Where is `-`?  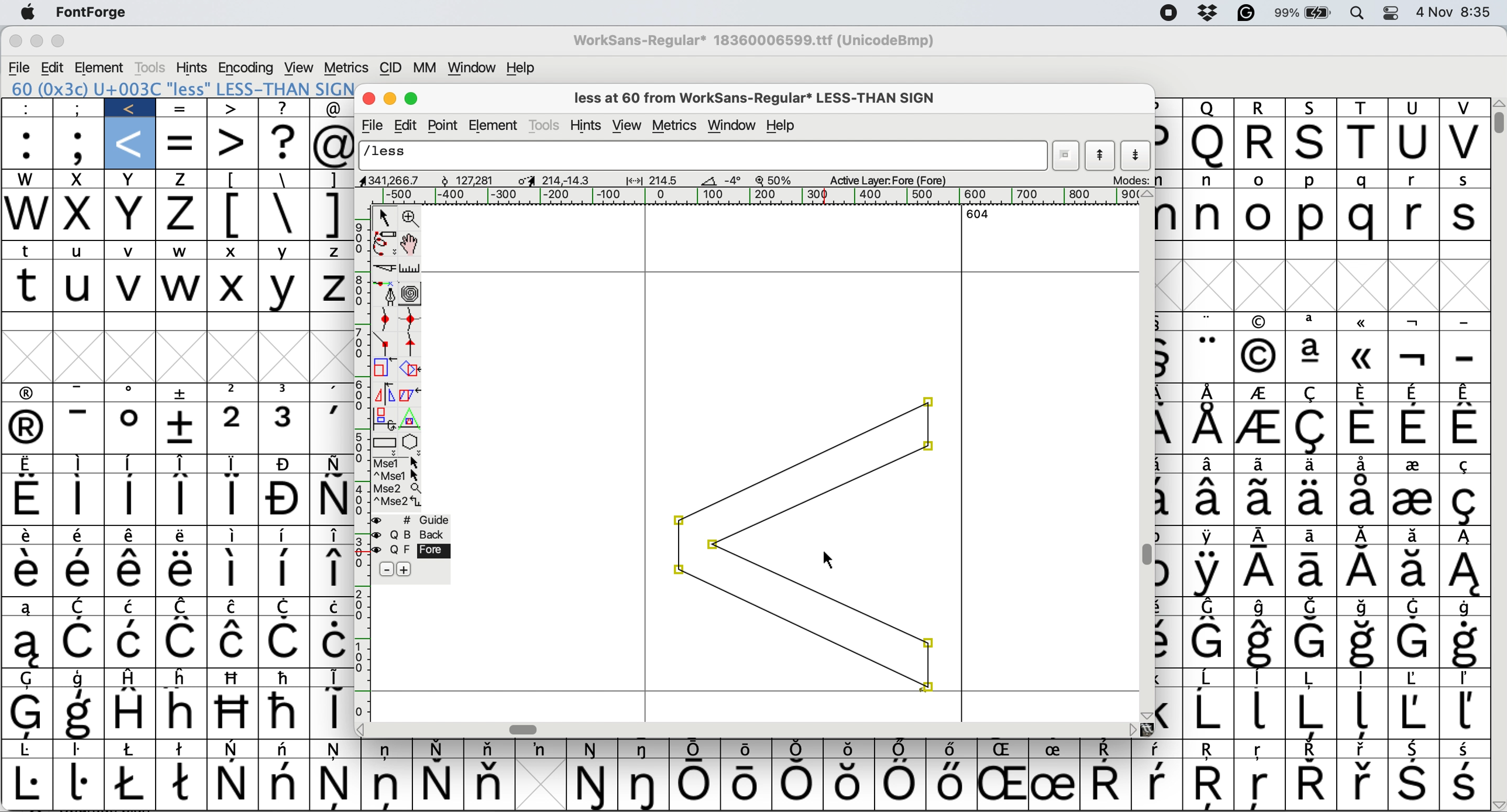 - is located at coordinates (1465, 323).